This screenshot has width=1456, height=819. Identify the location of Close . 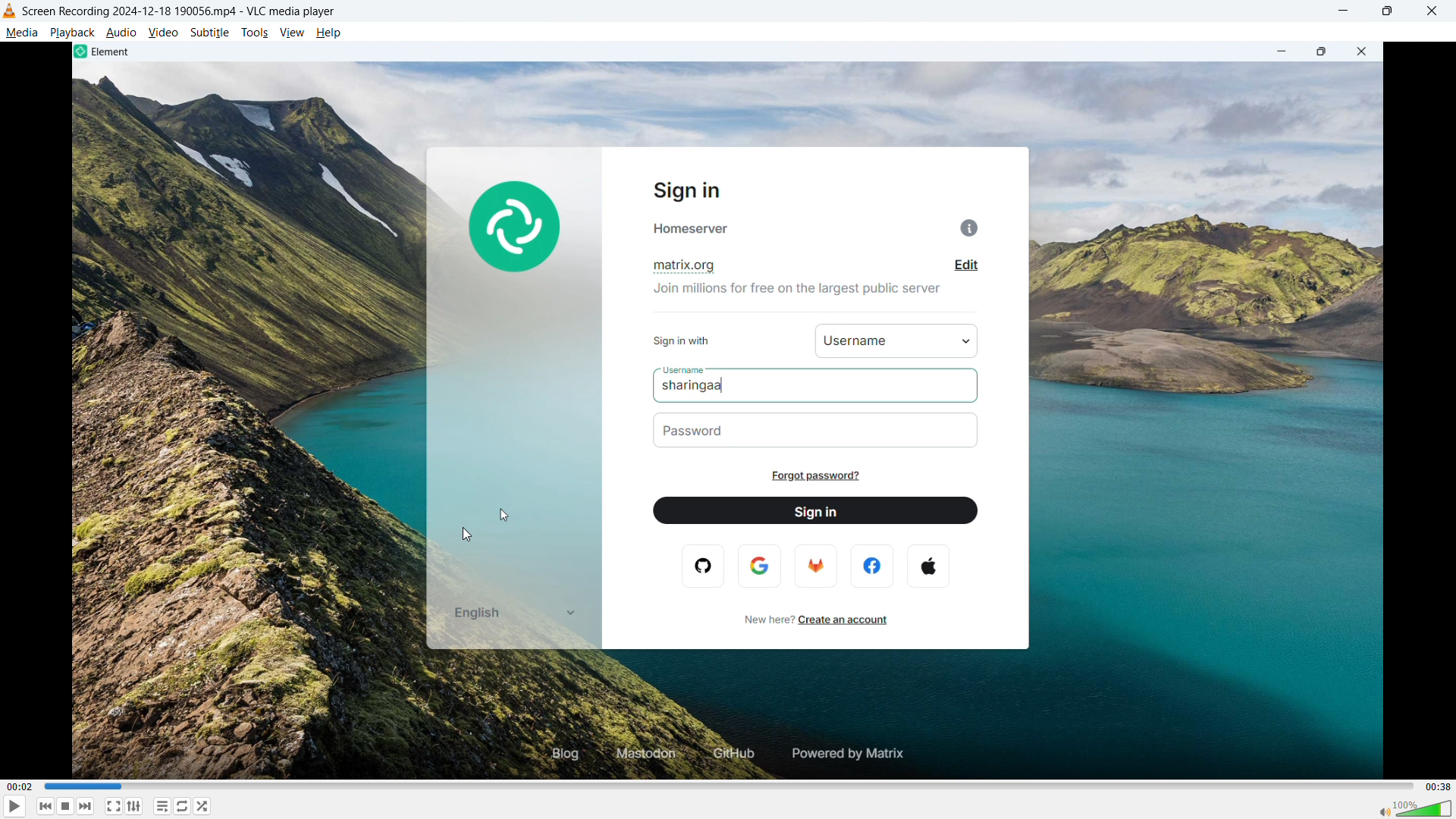
(1432, 11).